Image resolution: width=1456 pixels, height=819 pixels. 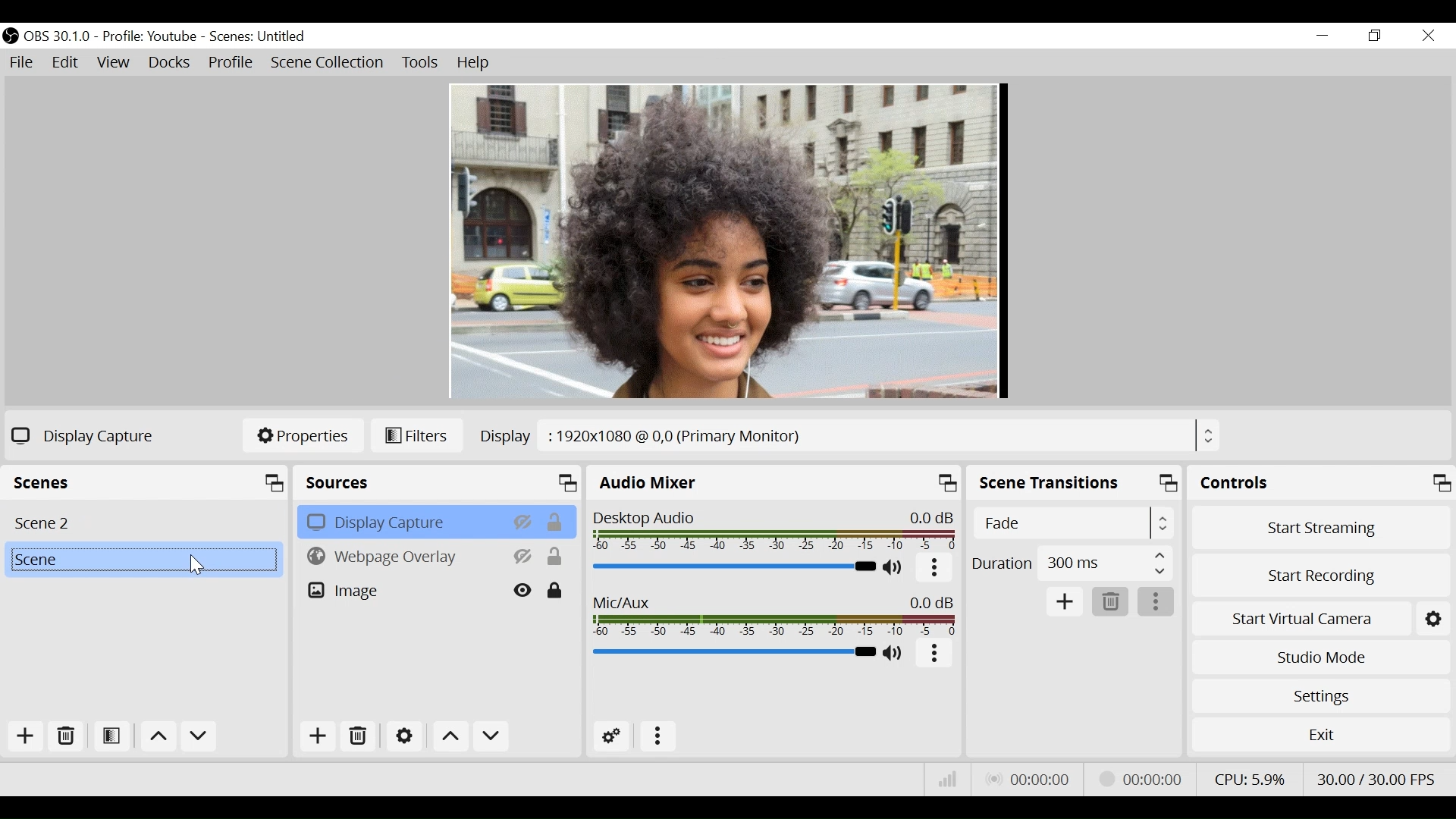 What do you see at coordinates (171, 63) in the screenshot?
I see `Docks` at bounding box center [171, 63].